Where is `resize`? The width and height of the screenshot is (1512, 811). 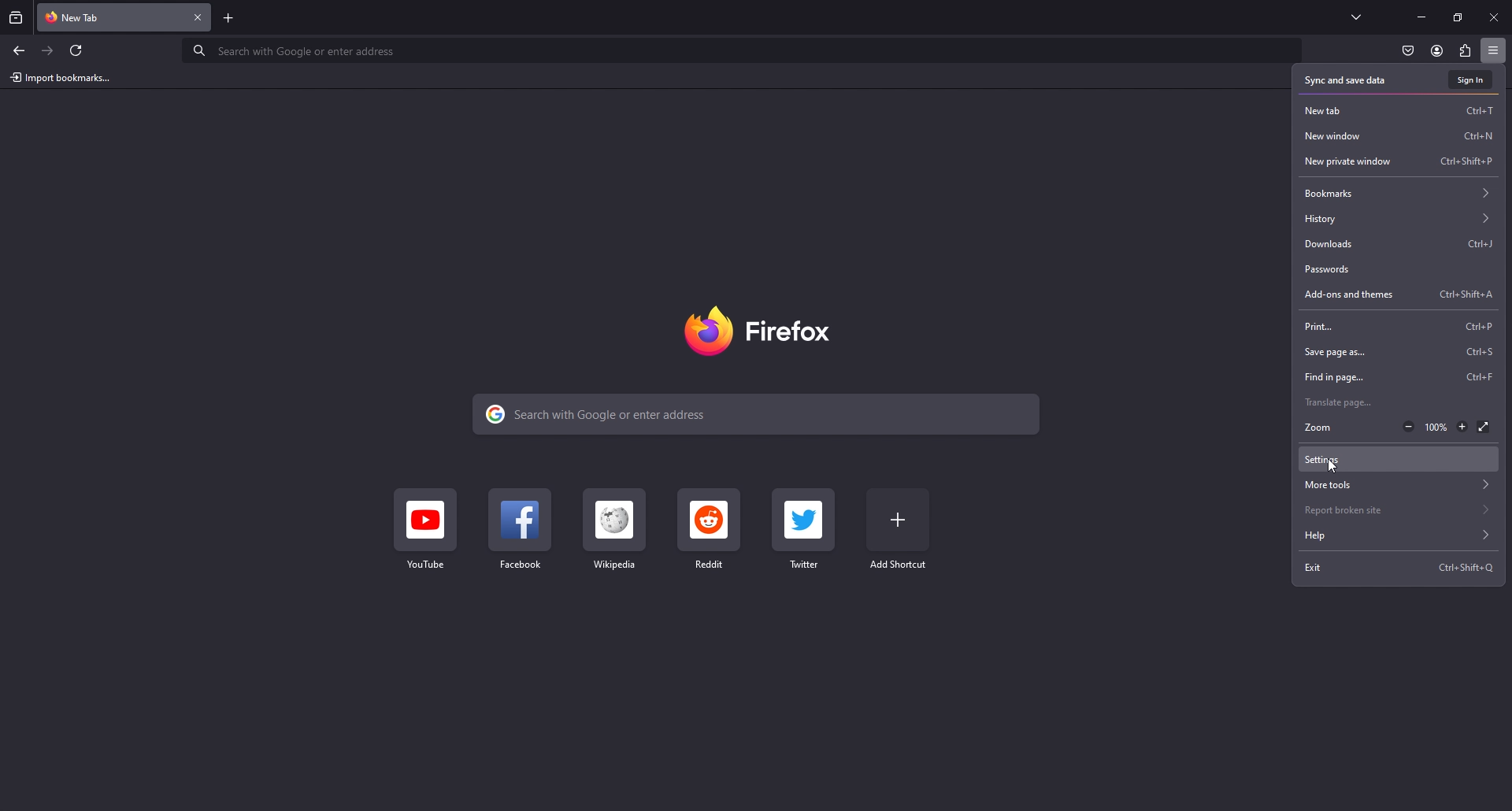 resize is located at coordinates (1458, 17).